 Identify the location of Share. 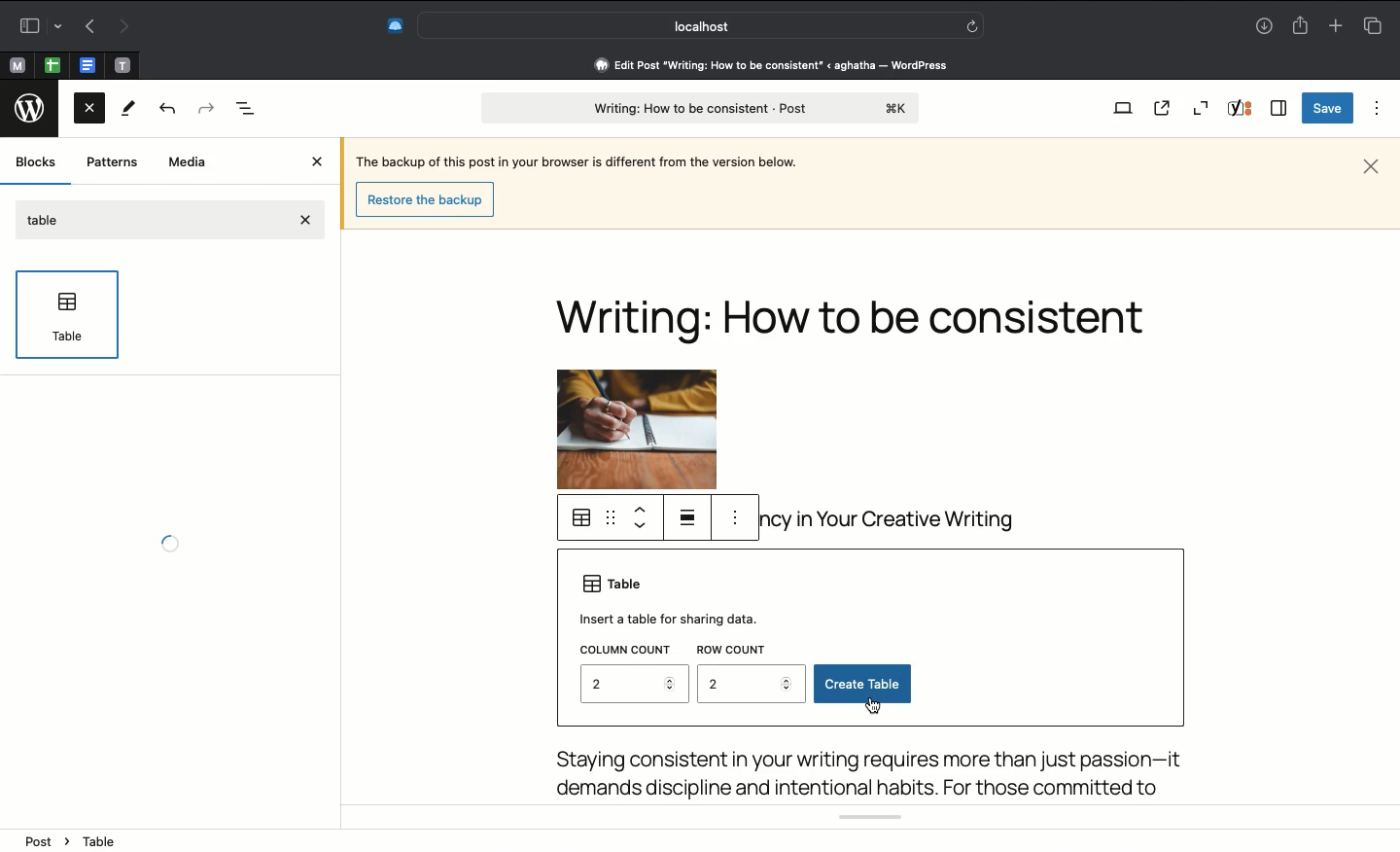
(1302, 26).